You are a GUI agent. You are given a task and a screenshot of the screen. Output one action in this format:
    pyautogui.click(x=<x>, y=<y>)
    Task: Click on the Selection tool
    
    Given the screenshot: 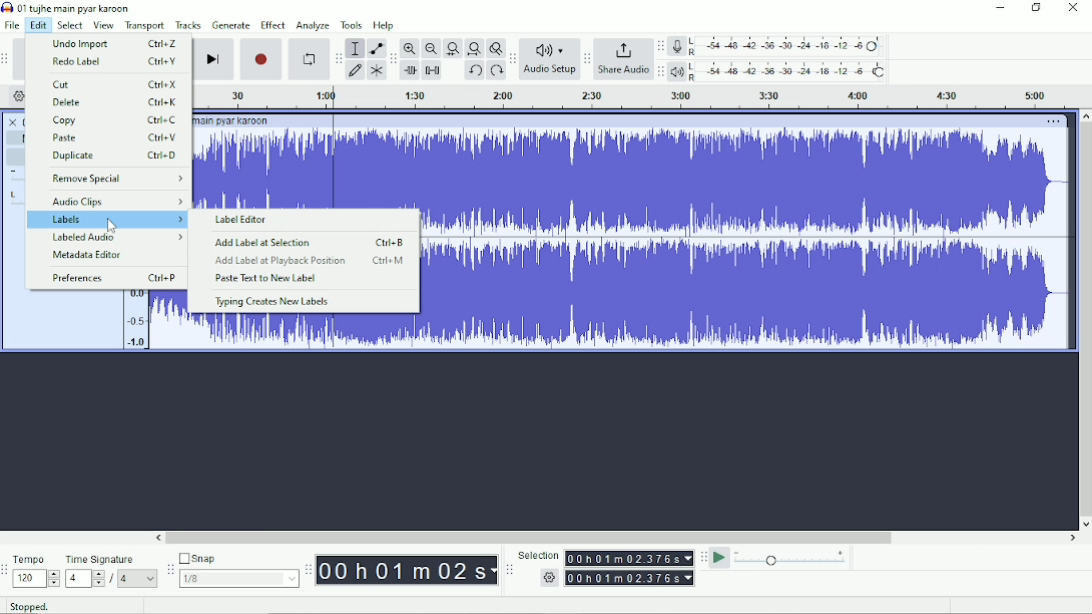 What is the action you would take?
    pyautogui.click(x=355, y=48)
    